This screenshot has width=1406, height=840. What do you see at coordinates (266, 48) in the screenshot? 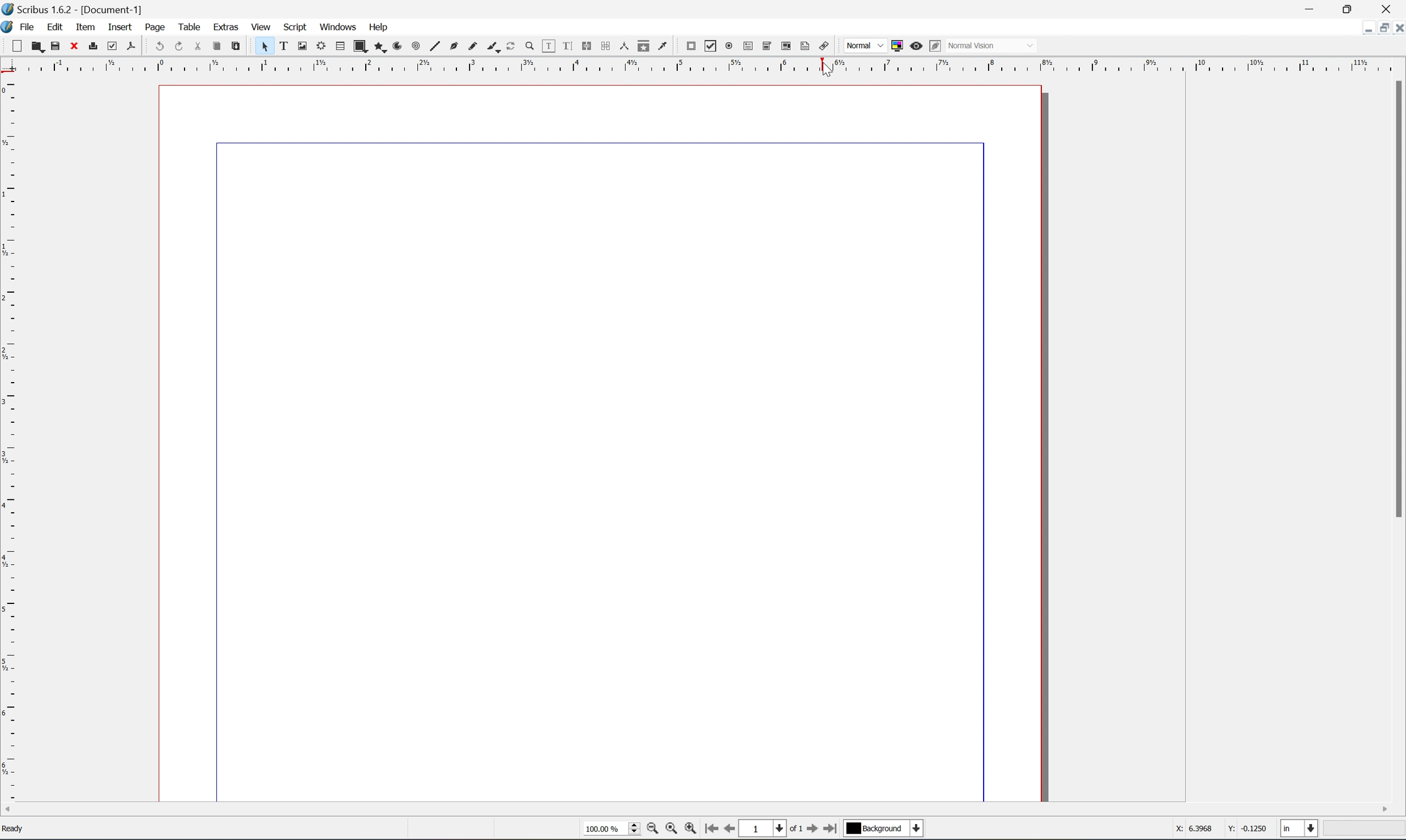
I see `select frame` at bounding box center [266, 48].